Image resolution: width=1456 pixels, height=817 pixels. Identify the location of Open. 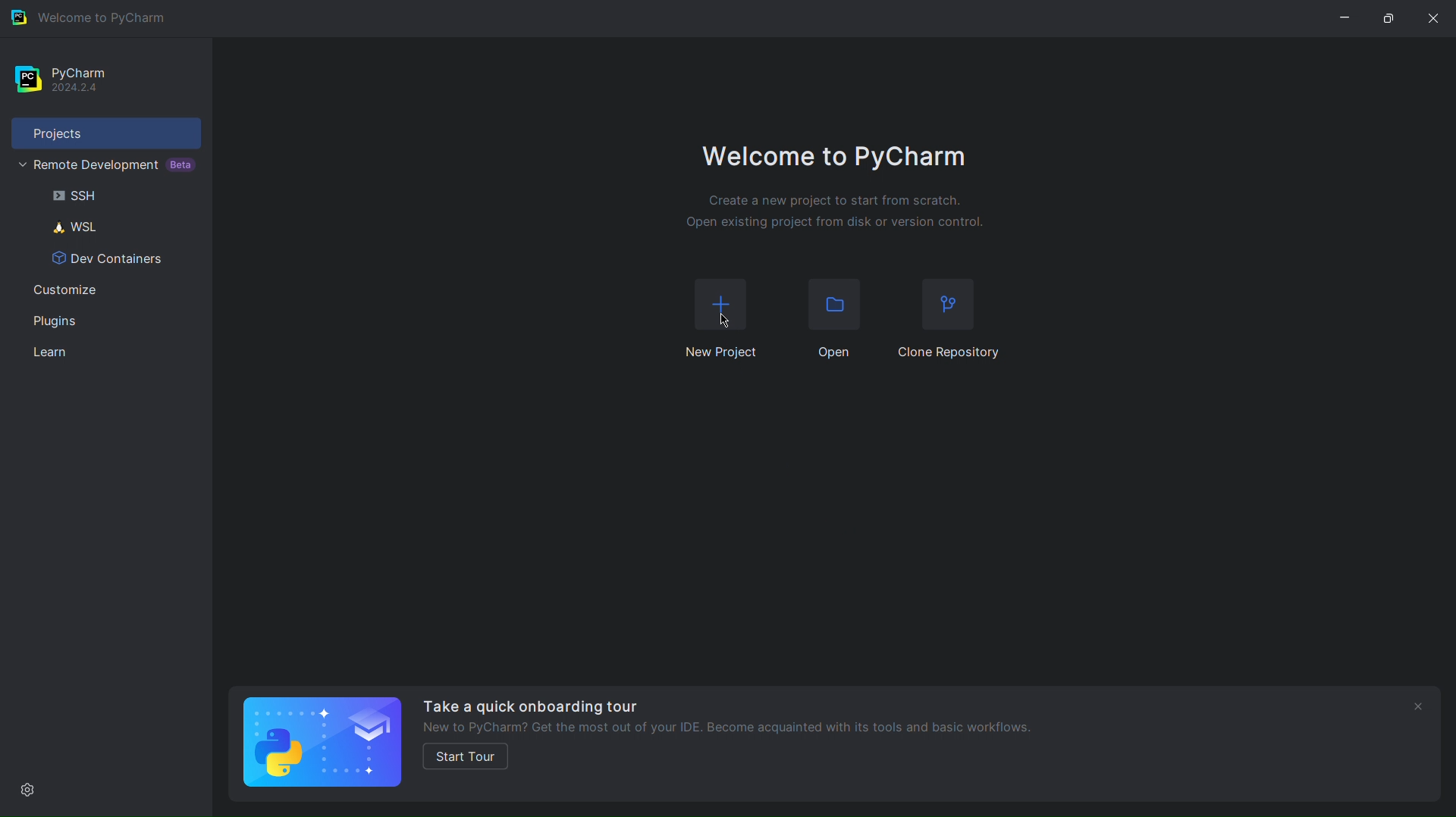
(833, 321).